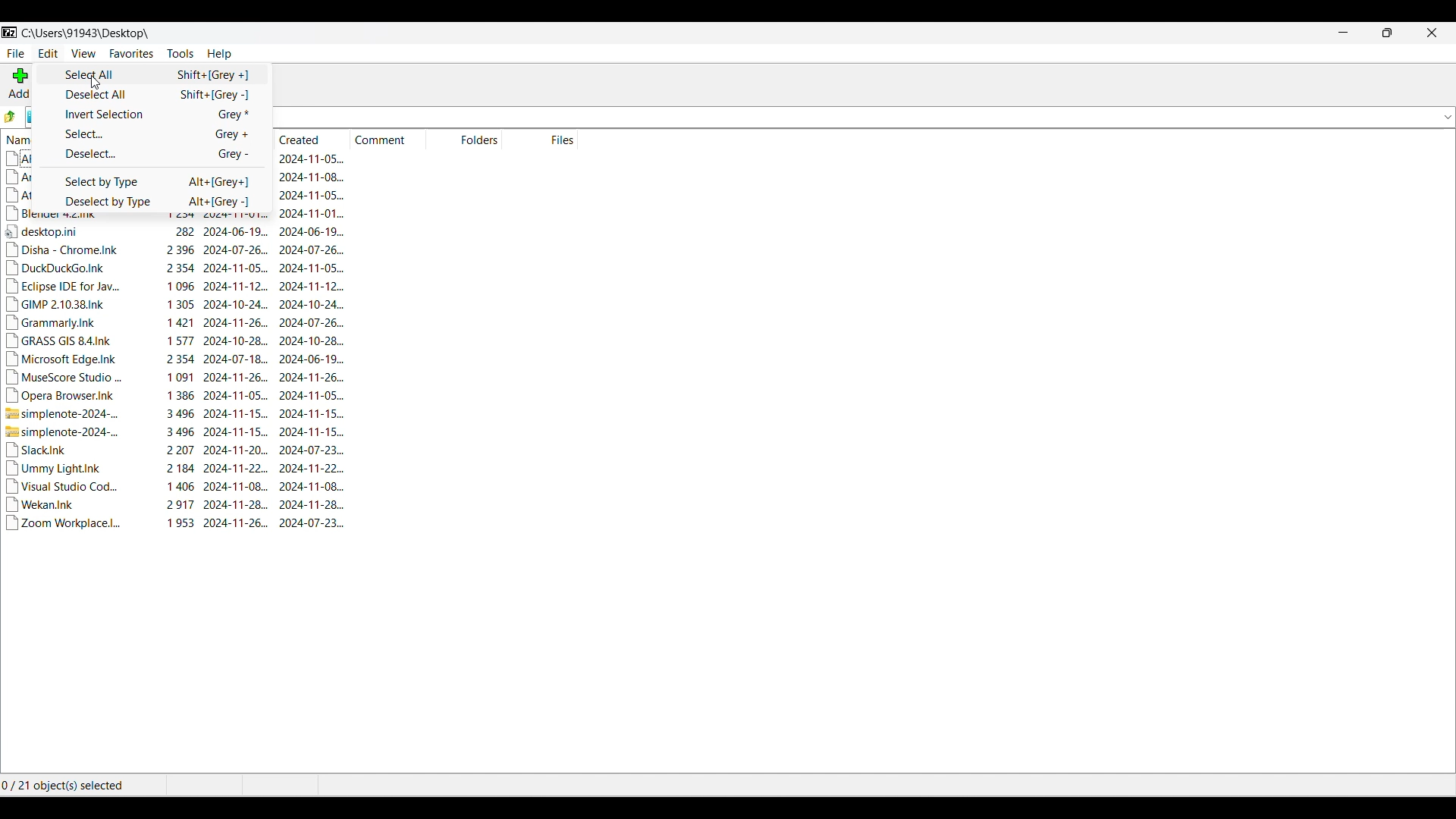 Image resolution: width=1456 pixels, height=819 pixels. What do you see at coordinates (152, 181) in the screenshot?
I see `Select by Type` at bounding box center [152, 181].